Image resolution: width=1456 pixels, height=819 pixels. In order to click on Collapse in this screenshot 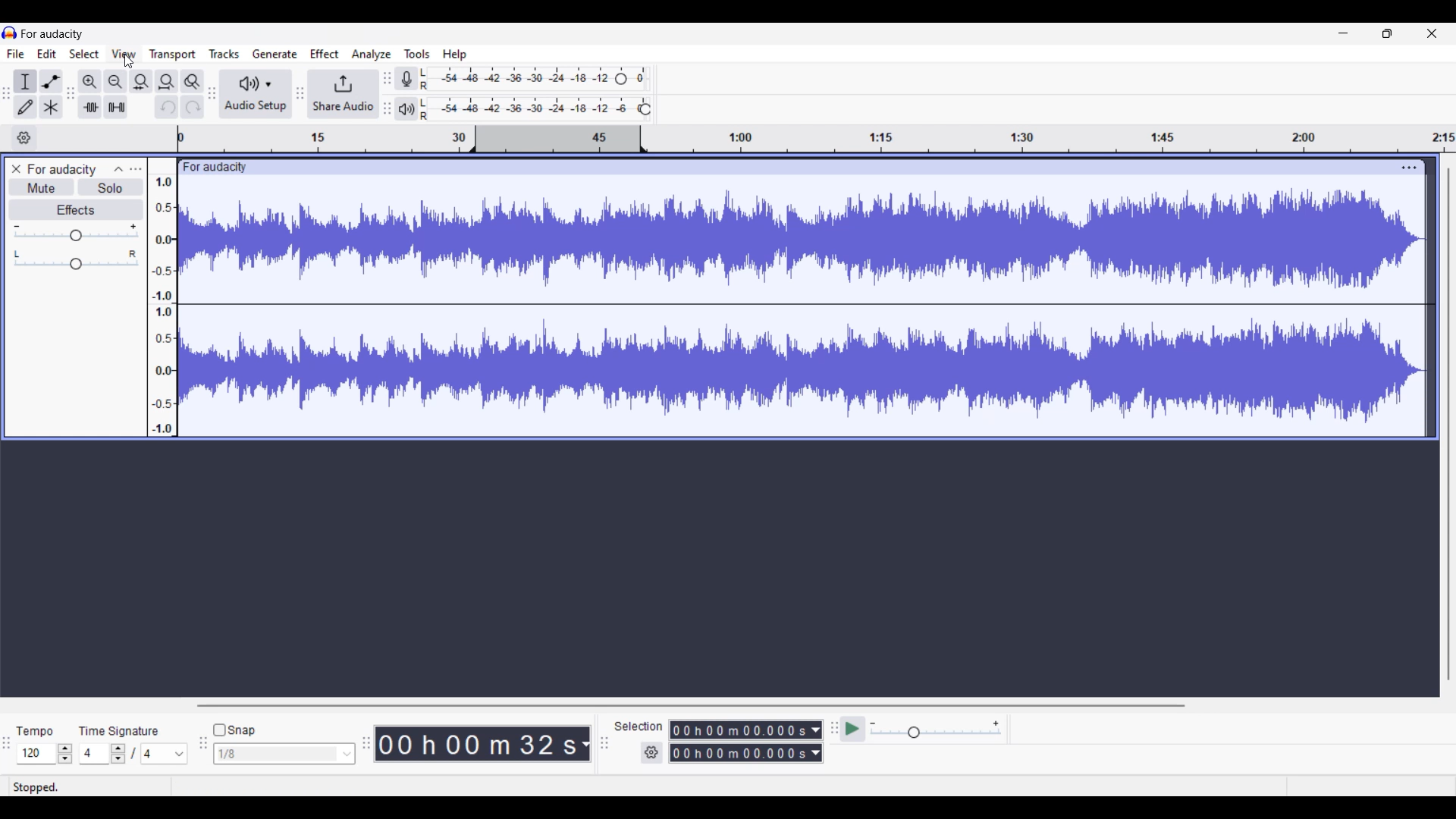, I will do `click(119, 169)`.